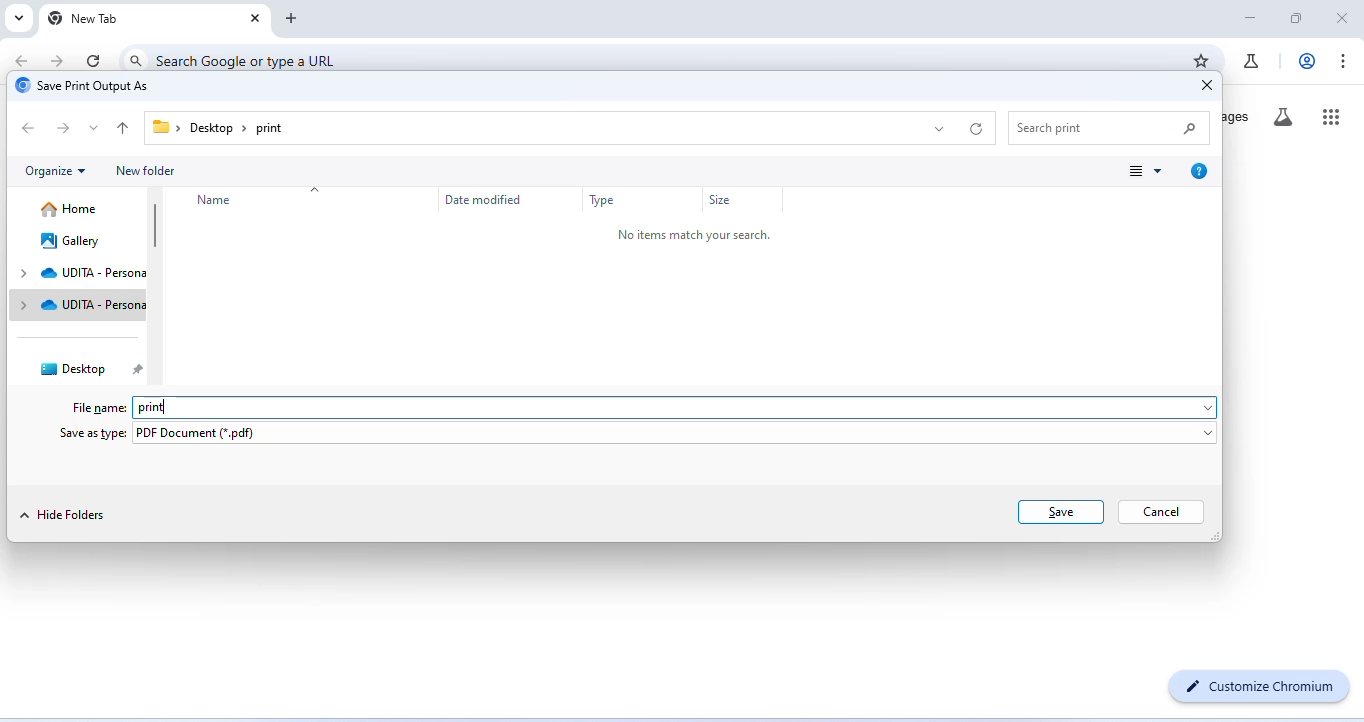  What do you see at coordinates (90, 435) in the screenshot?
I see `save as type` at bounding box center [90, 435].